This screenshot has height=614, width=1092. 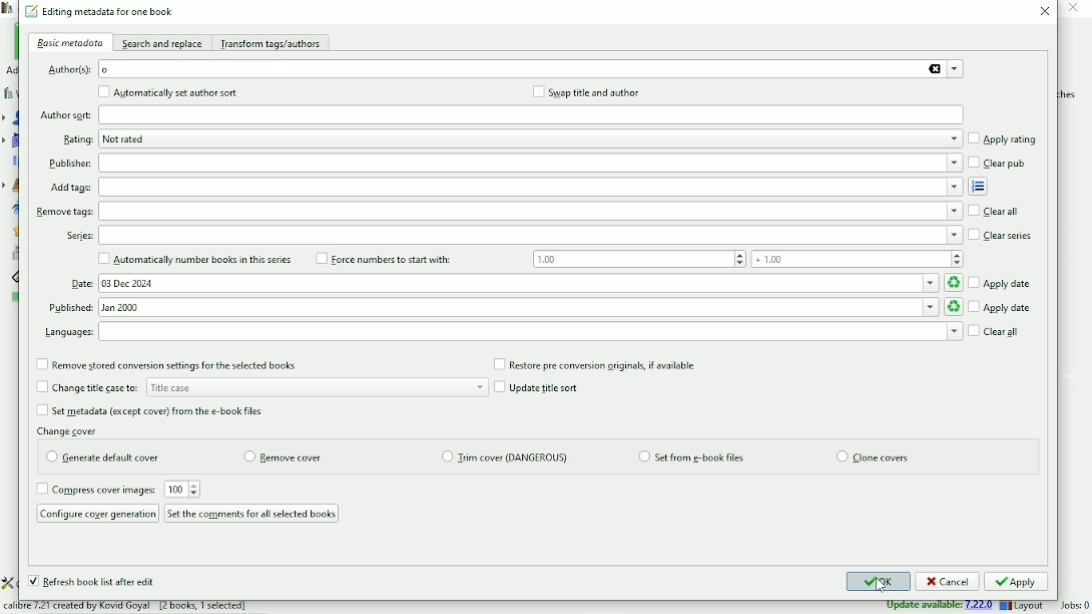 What do you see at coordinates (997, 212) in the screenshot?
I see `Clear all` at bounding box center [997, 212].